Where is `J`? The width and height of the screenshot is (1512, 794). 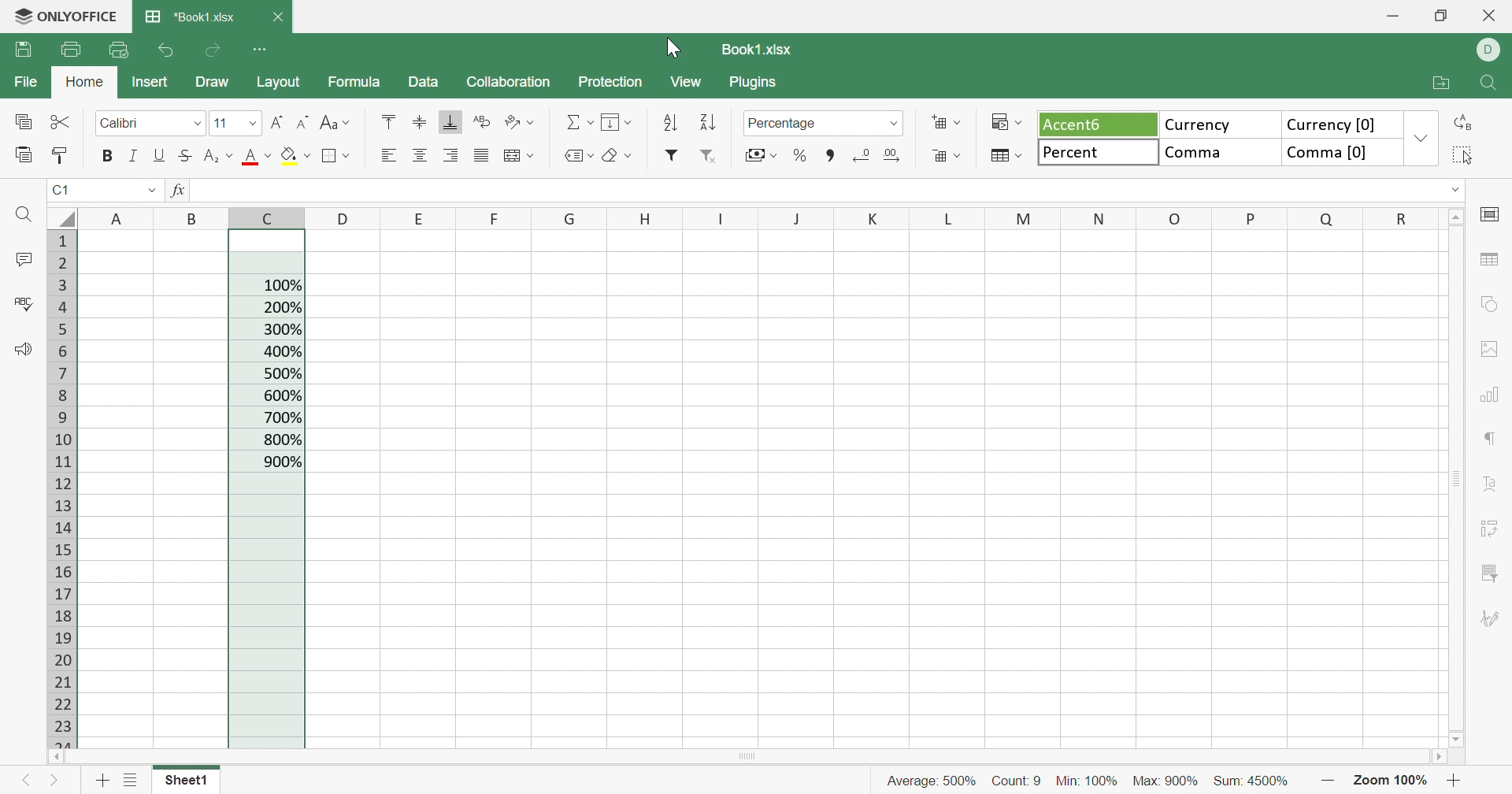 J is located at coordinates (797, 219).